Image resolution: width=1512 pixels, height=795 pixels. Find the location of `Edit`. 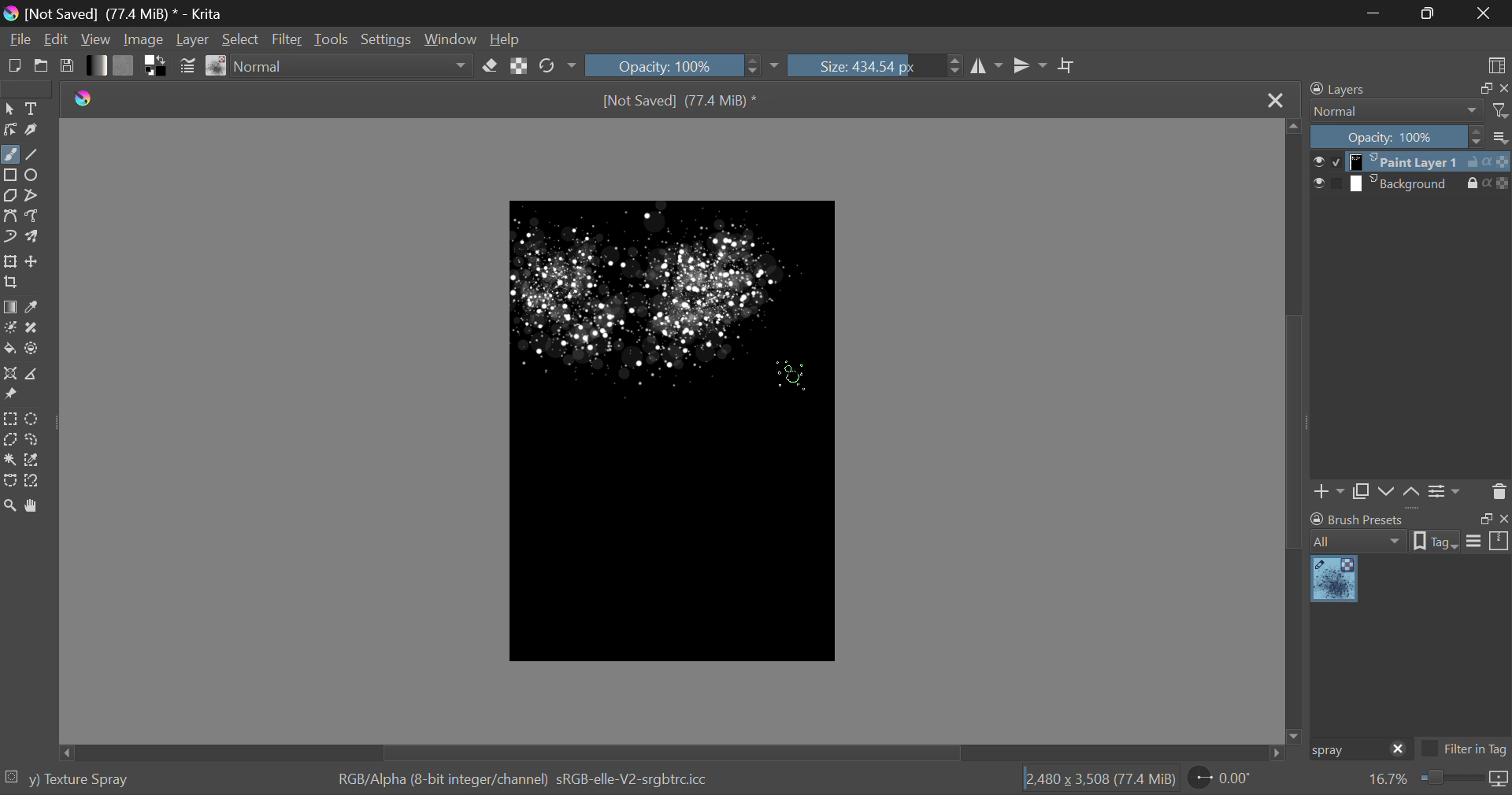

Edit is located at coordinates (57, 39).